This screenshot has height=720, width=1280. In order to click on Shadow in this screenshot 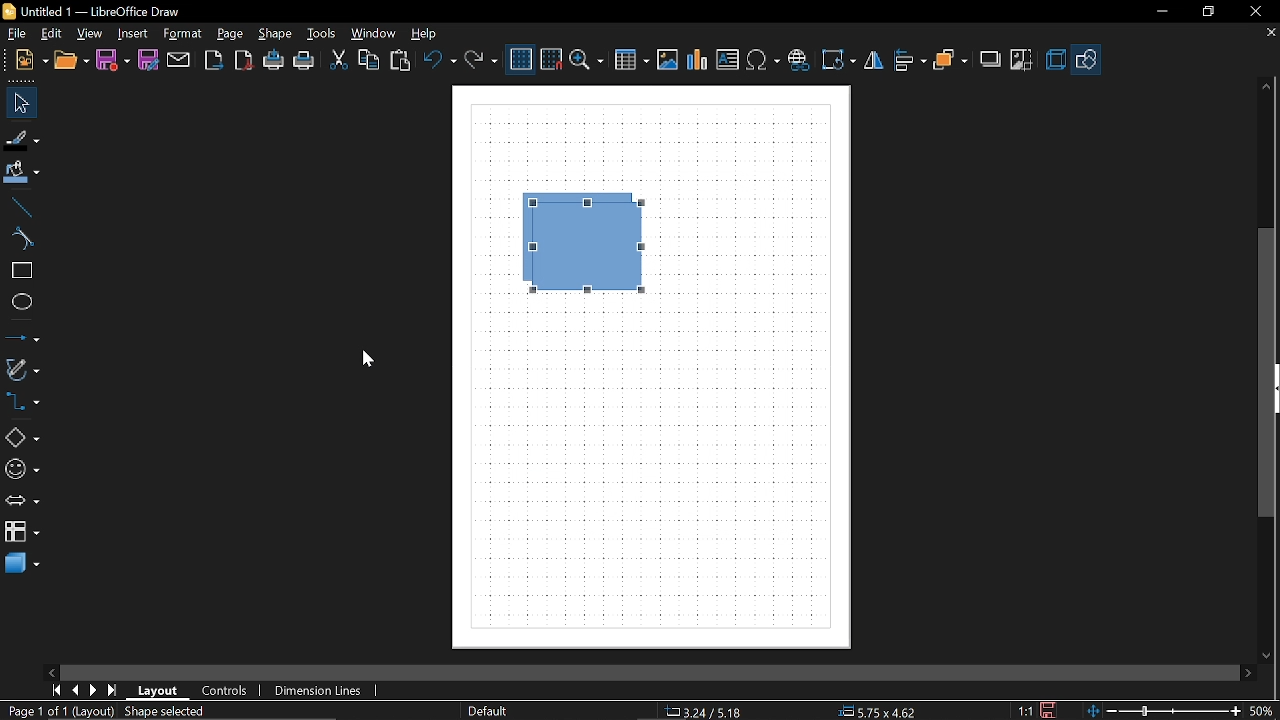, I will do `click(992, 59)`.